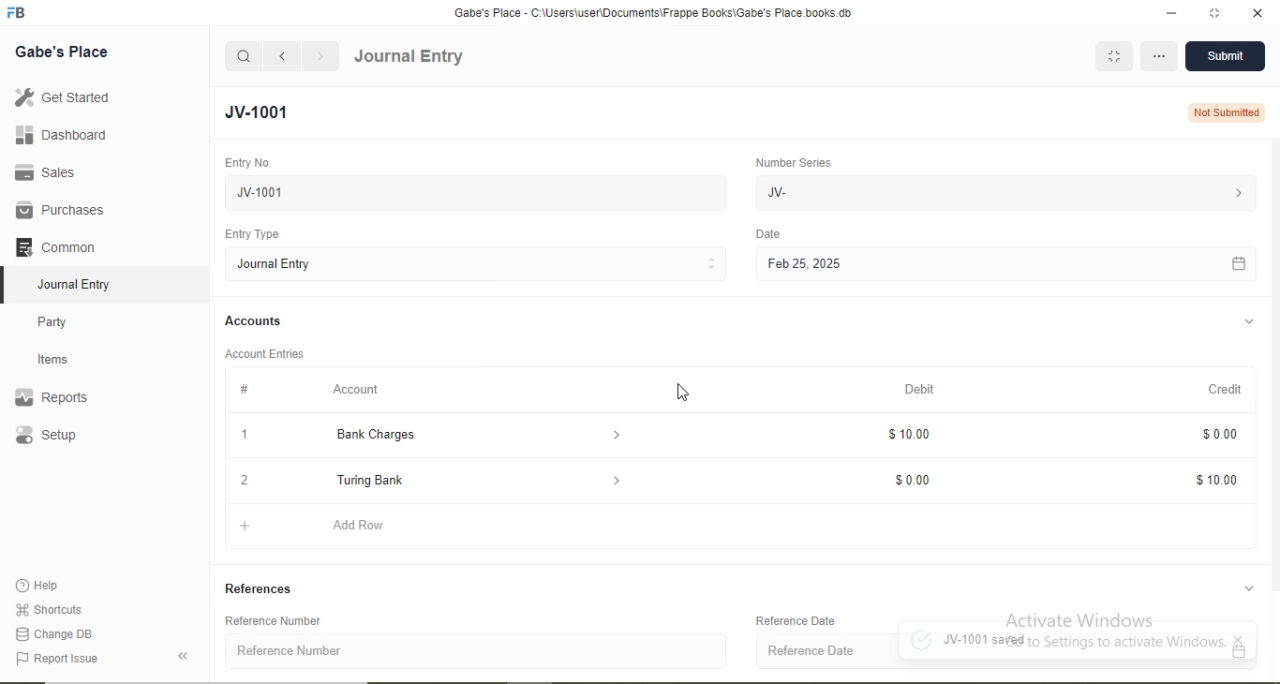 This screenshot has height=684, width=1280. What do you see at coordinates (54, 172) in the screenshot?
I see `Sales` at bounding box center [54, 172].